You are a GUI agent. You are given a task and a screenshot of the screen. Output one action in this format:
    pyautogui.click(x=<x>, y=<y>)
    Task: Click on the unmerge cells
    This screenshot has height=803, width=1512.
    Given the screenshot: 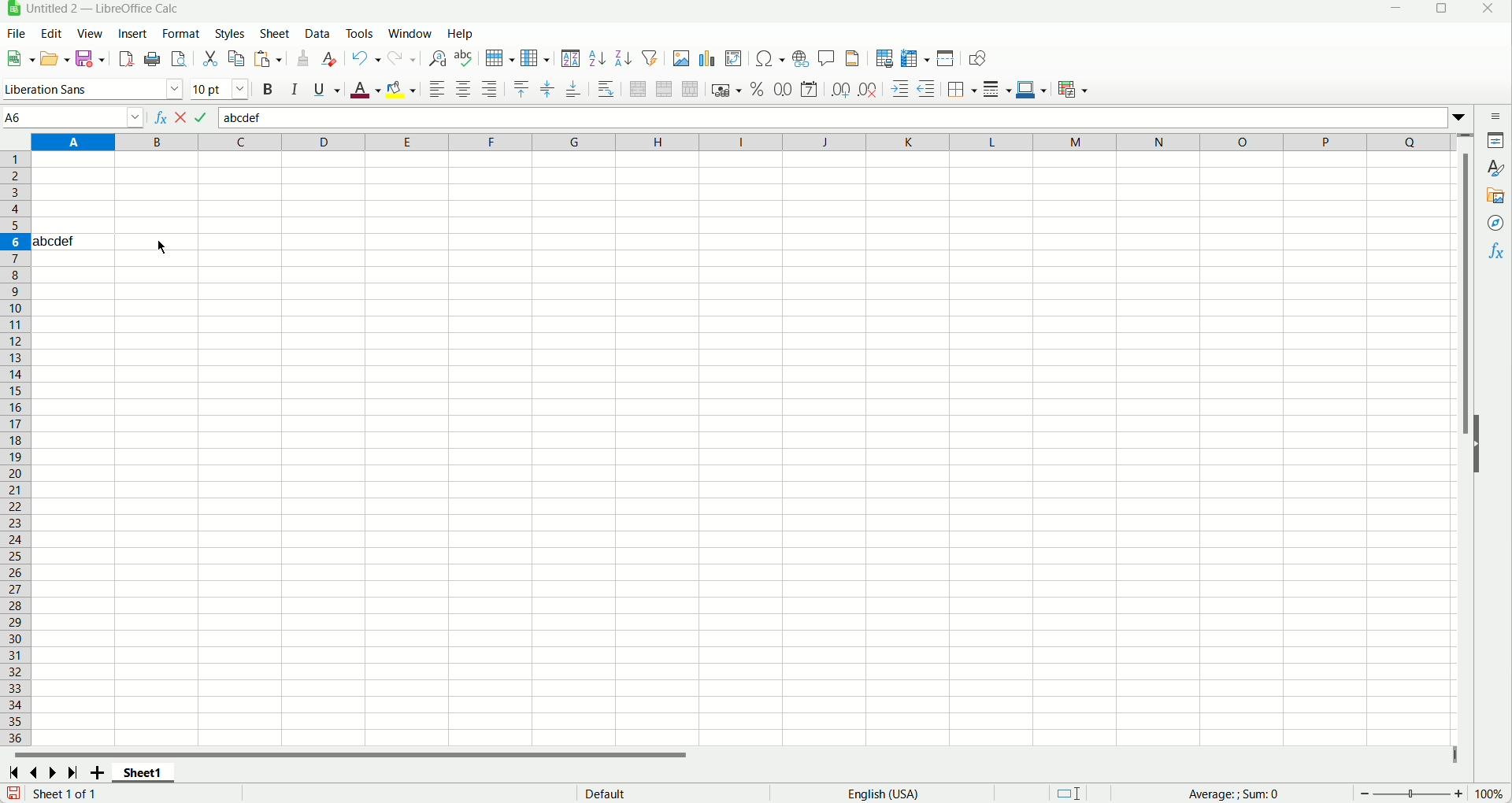 What is the action you would take?
    pyautogui.click(x=691, y=91)
    